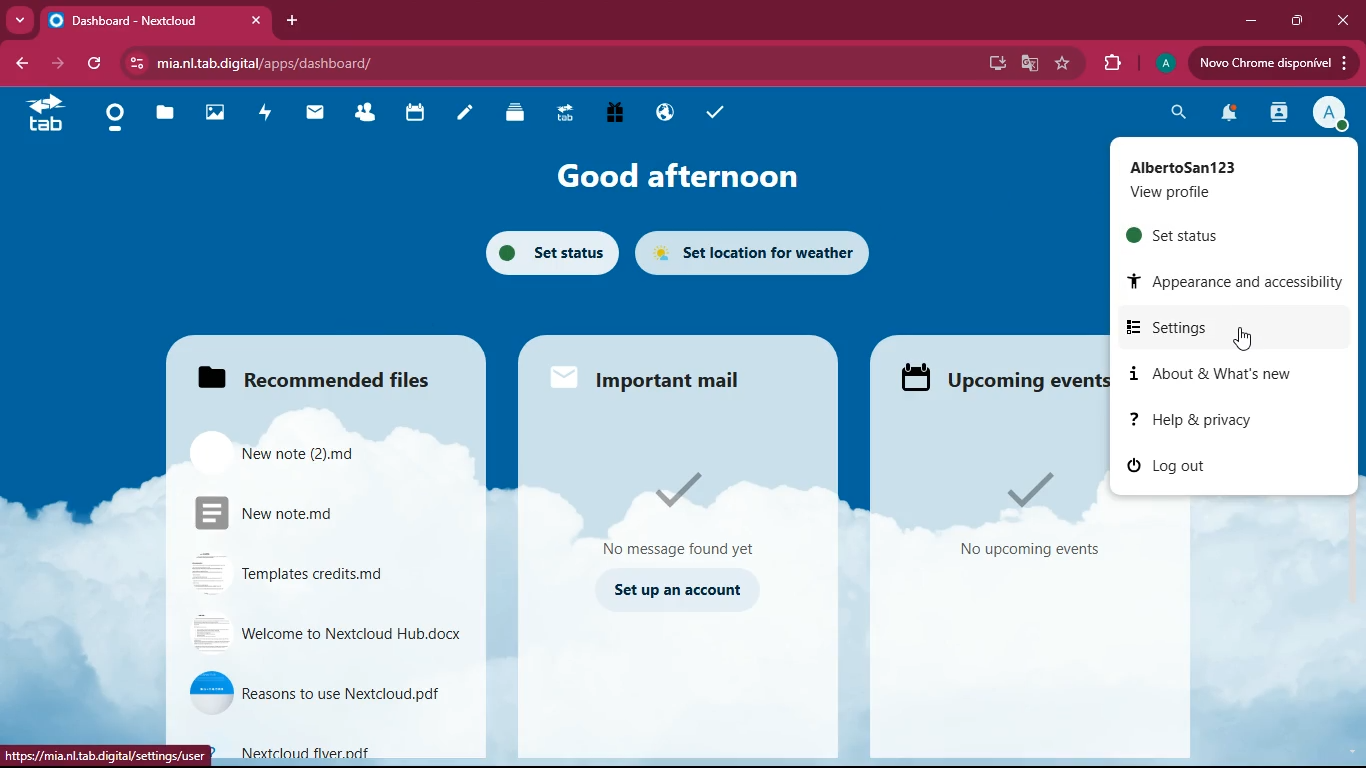  I want to click on file, so click(315, 747).